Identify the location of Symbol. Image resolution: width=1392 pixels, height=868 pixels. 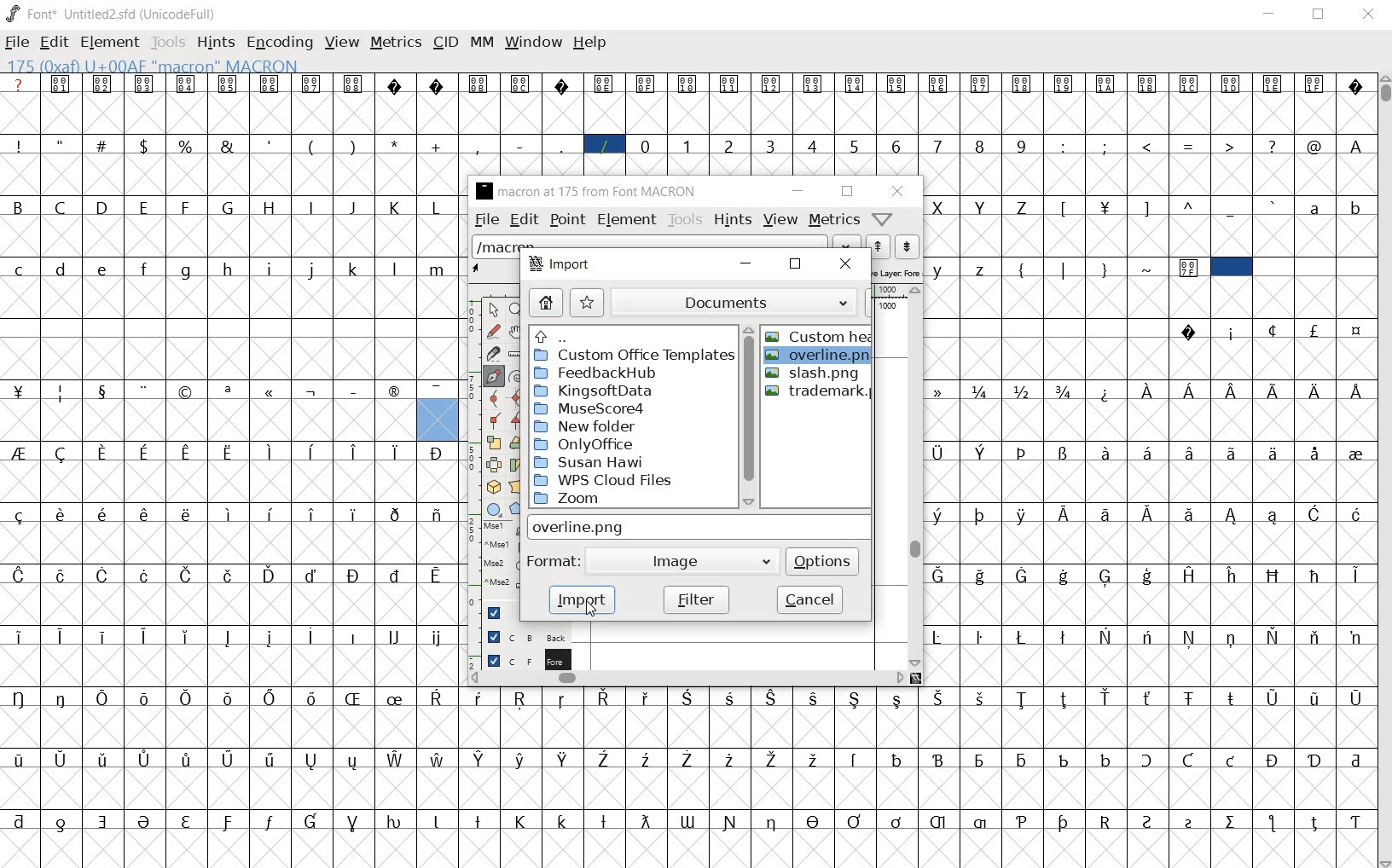
(1191, 391).